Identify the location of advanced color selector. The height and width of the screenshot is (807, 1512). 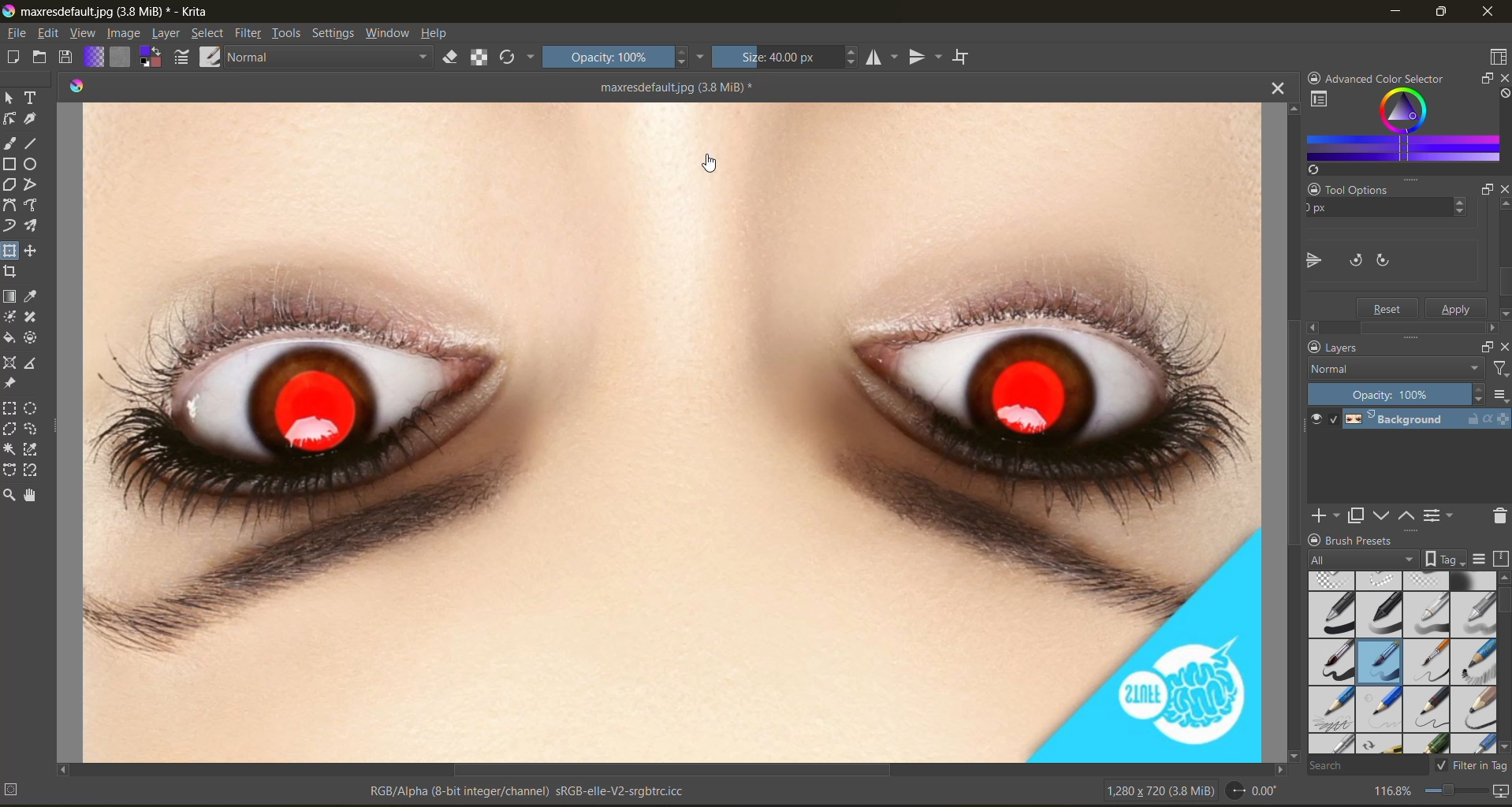
(1402, 127).